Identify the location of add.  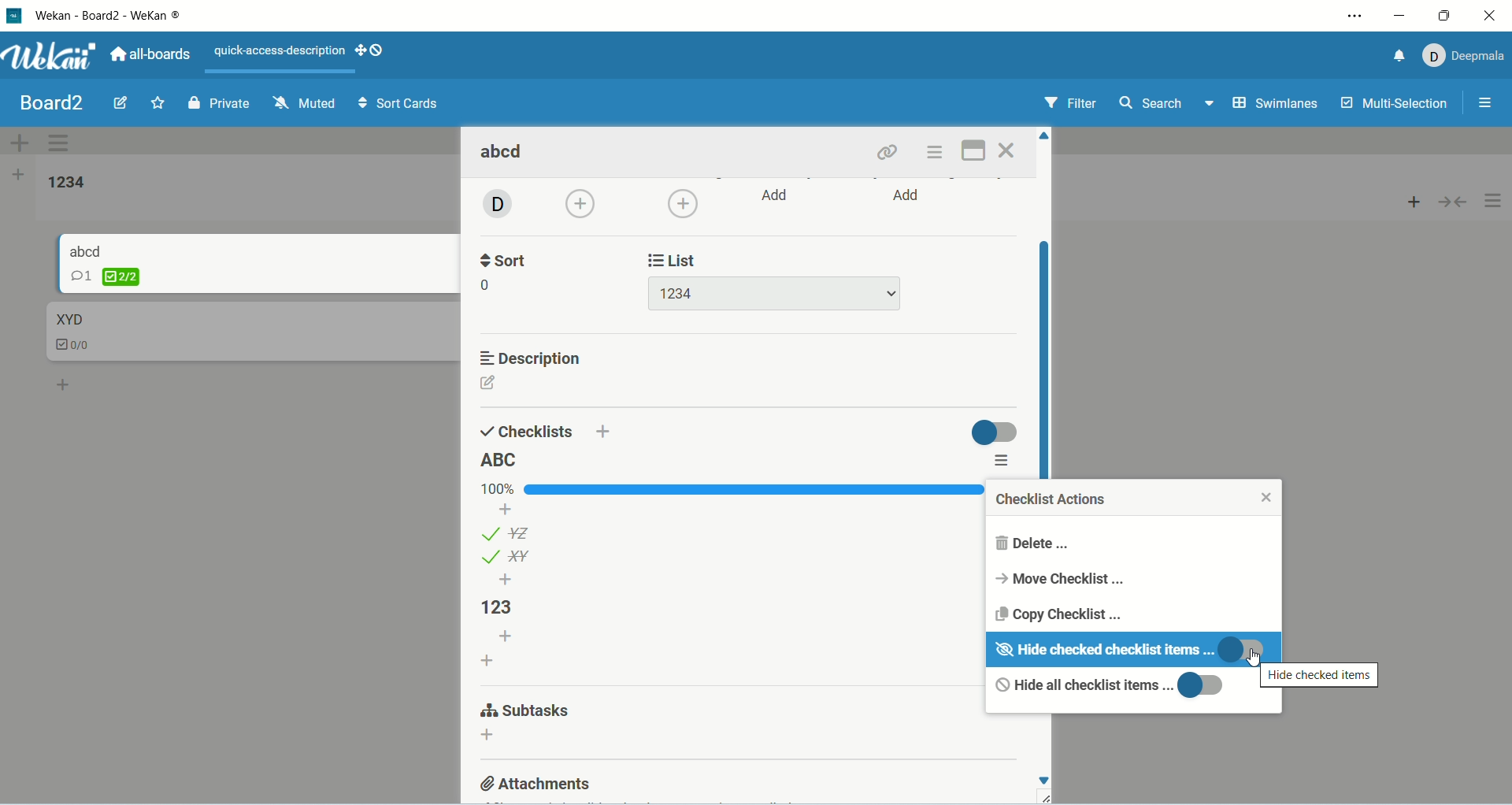
(506, 636).